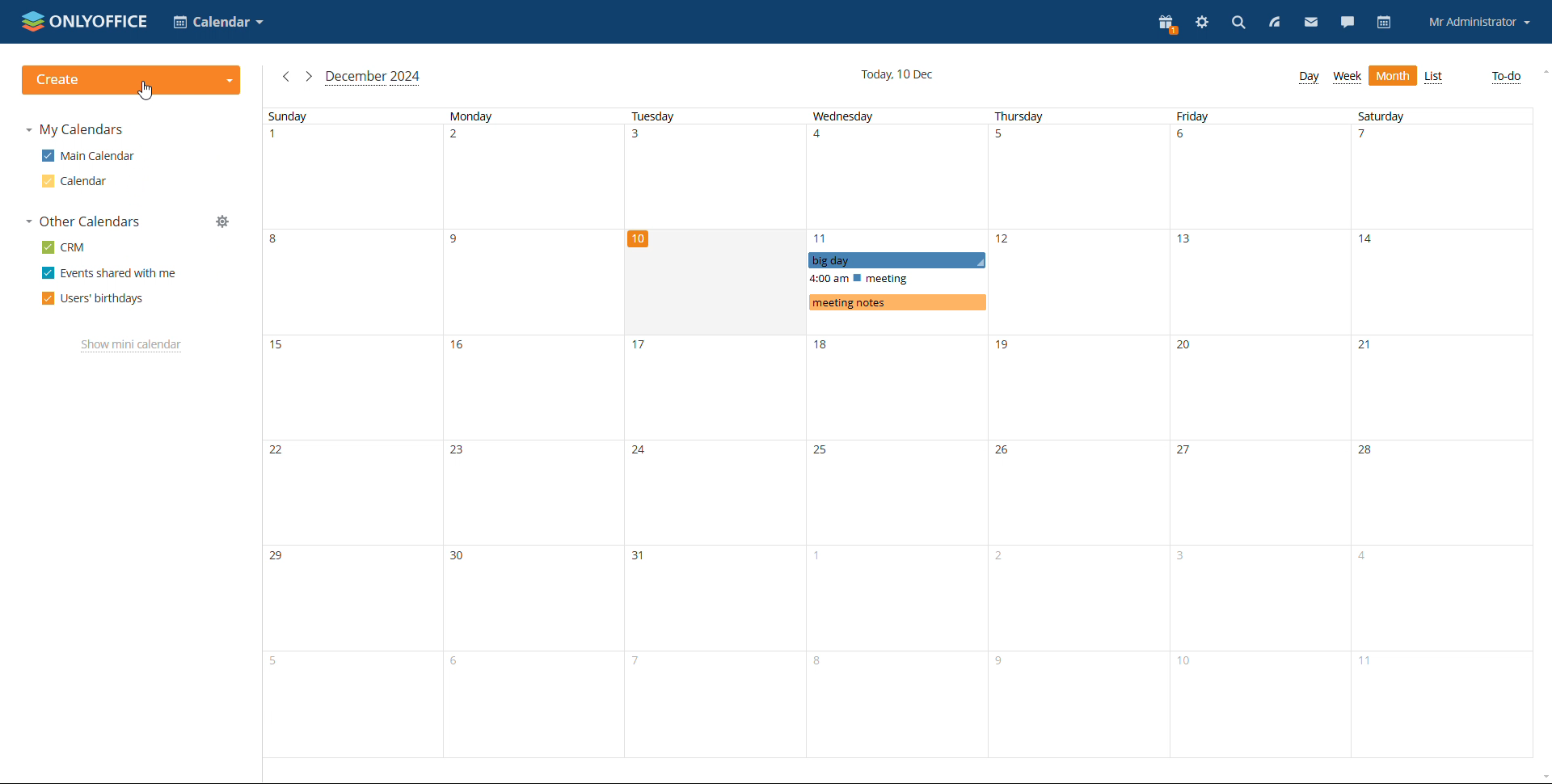  Describe the element at coordinates (533, 432) in the screenshot. I see `monday` at that location.